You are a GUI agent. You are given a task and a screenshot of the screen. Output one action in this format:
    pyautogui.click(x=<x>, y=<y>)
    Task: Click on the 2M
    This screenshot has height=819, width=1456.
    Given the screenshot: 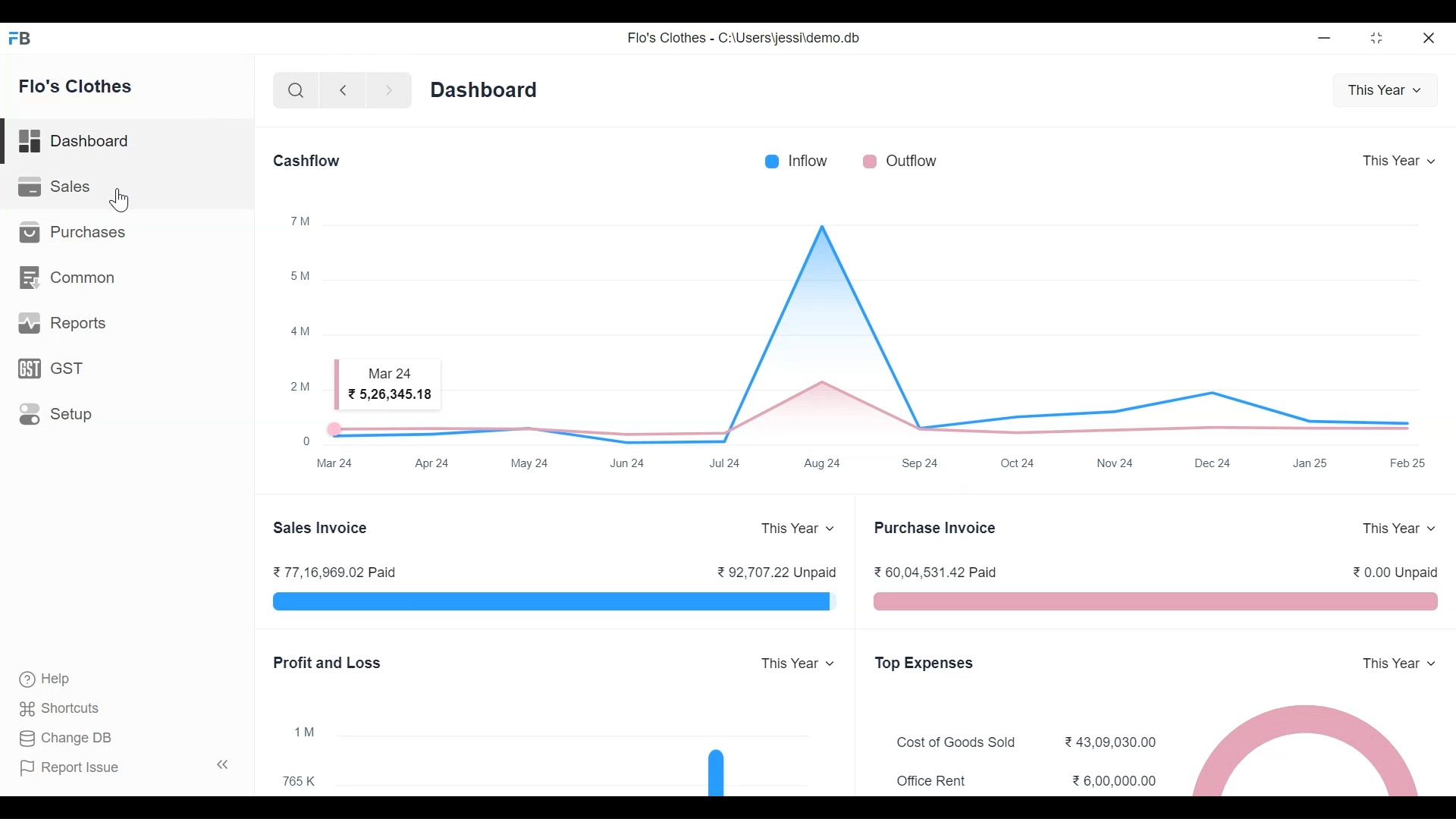 What is the action you would take?
    pyautogui.click(x=303, y=386)
    